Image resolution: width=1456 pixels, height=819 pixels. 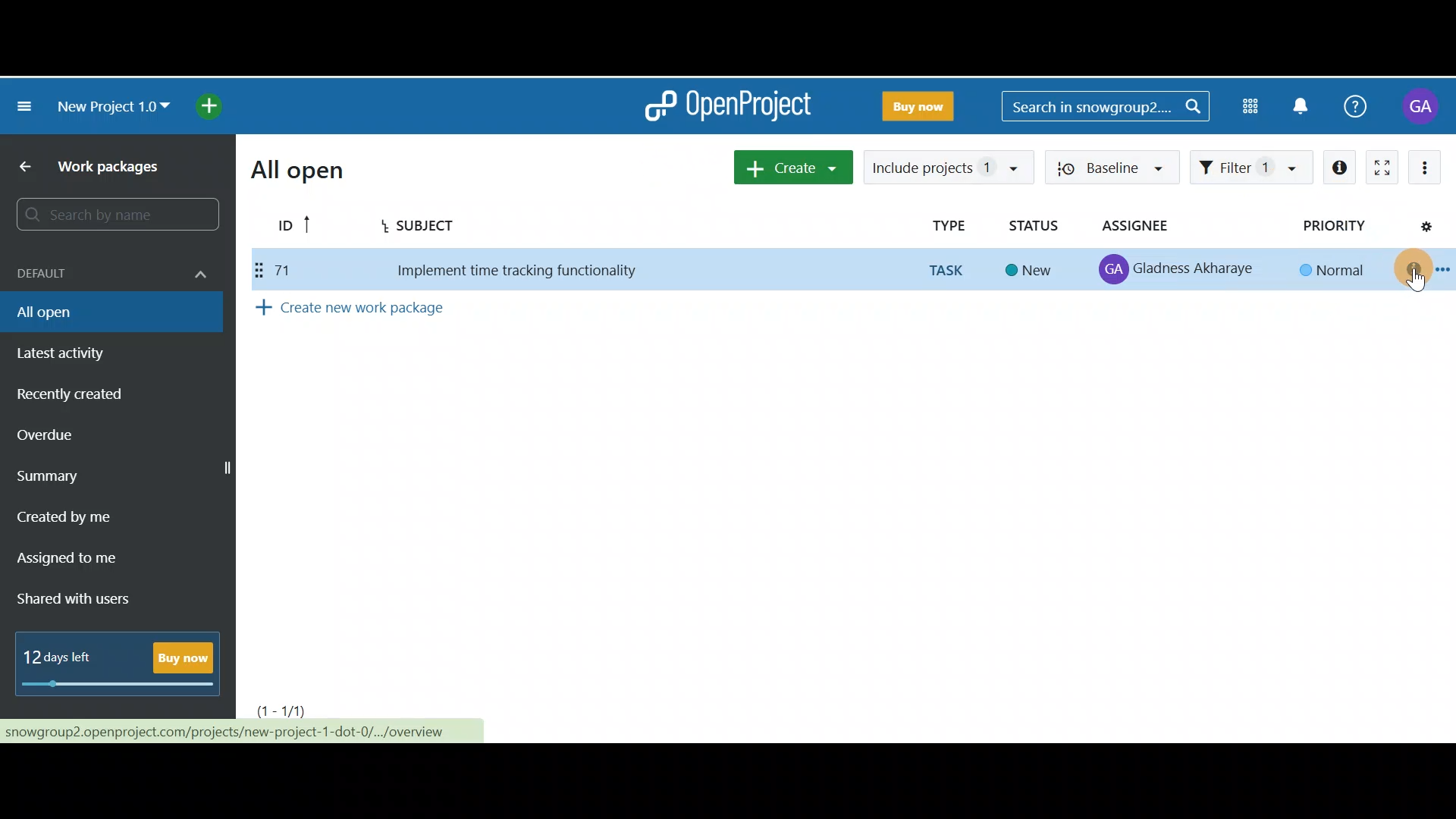 What do you see at coordinates (1353, 111) in the screenshot?
I see `Help` at bounding box center [1353, 111].